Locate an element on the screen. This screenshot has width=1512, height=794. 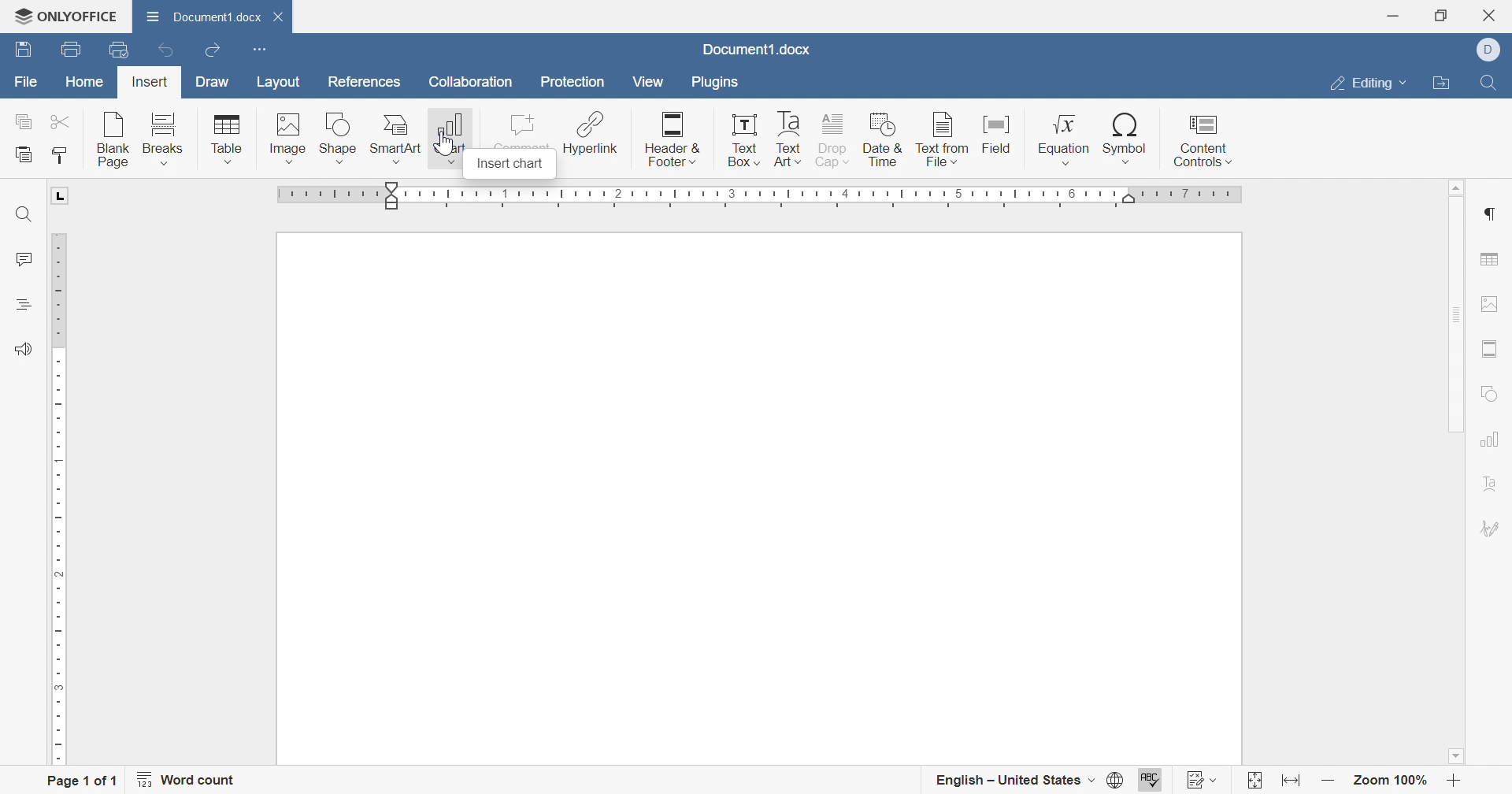
Drop Down is located at coordinates (1406, 84).